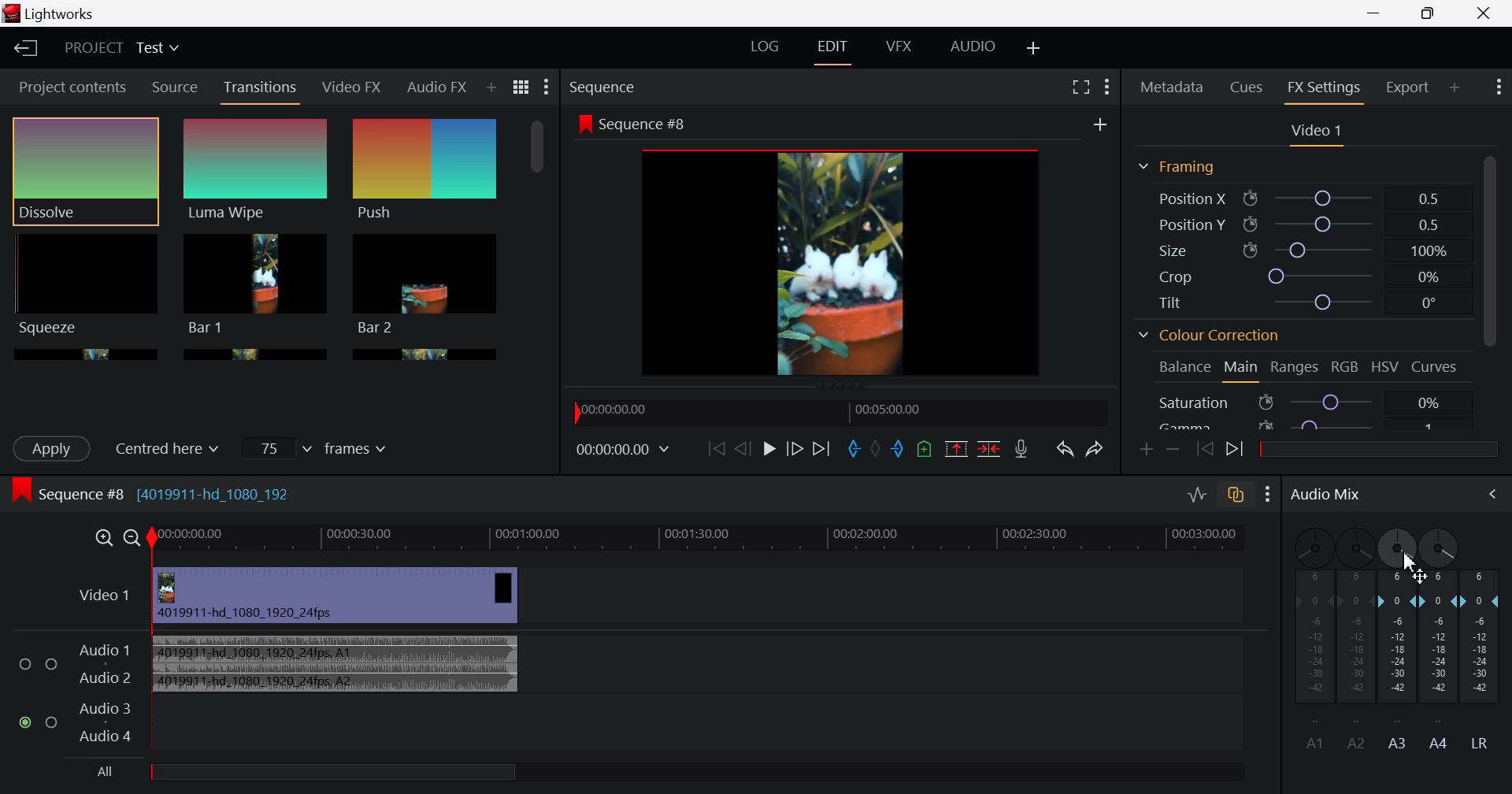  What do you see at coordinates (1347, 367) in the screenshot?
I see `RGB` at bounding box center [1347, 367].